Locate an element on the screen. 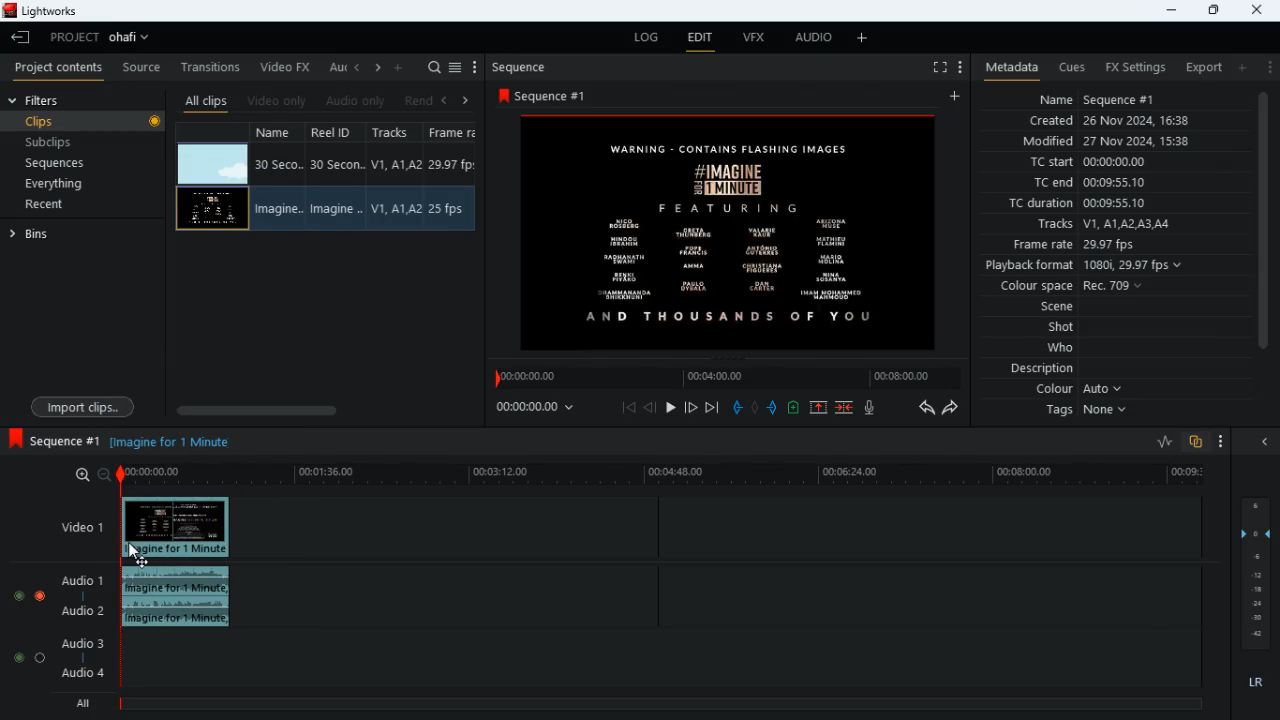 The width and height of the screenshot is (1280, 720). hold is located at coordinates (755, 408).